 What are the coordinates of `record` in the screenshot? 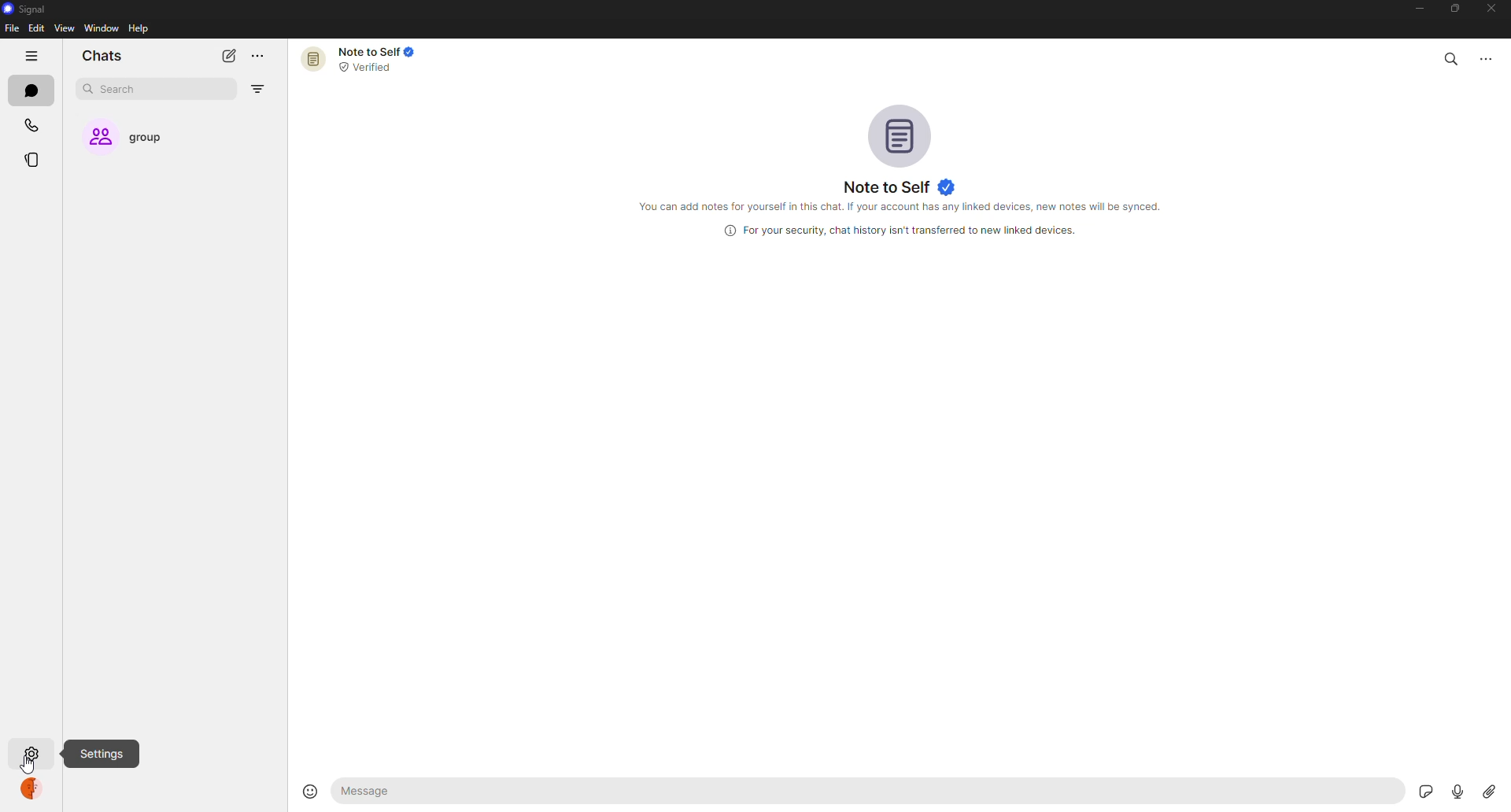 It's located at (1452, 791).